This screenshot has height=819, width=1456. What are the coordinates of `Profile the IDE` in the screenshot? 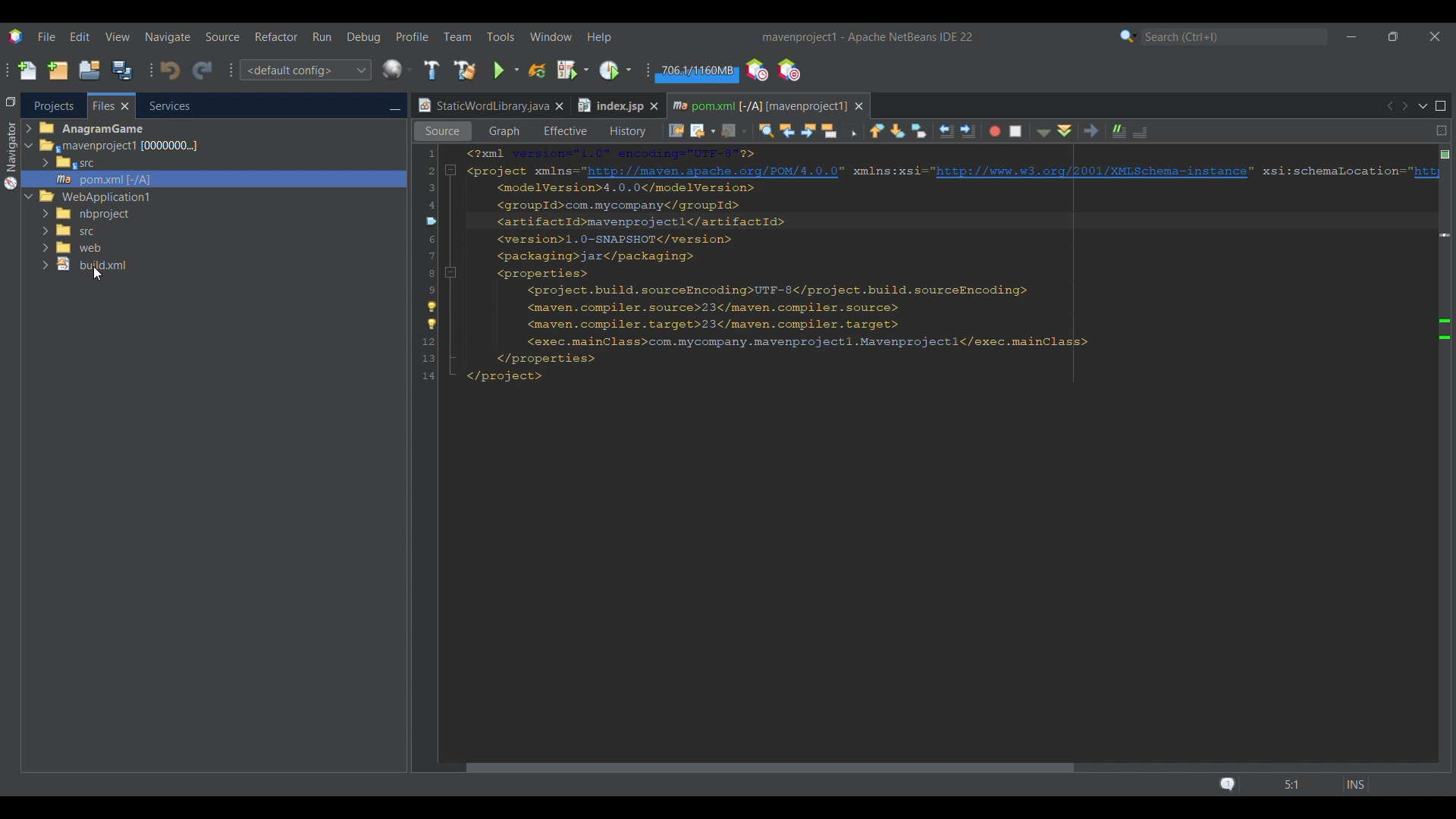 It's located at (758, 71).